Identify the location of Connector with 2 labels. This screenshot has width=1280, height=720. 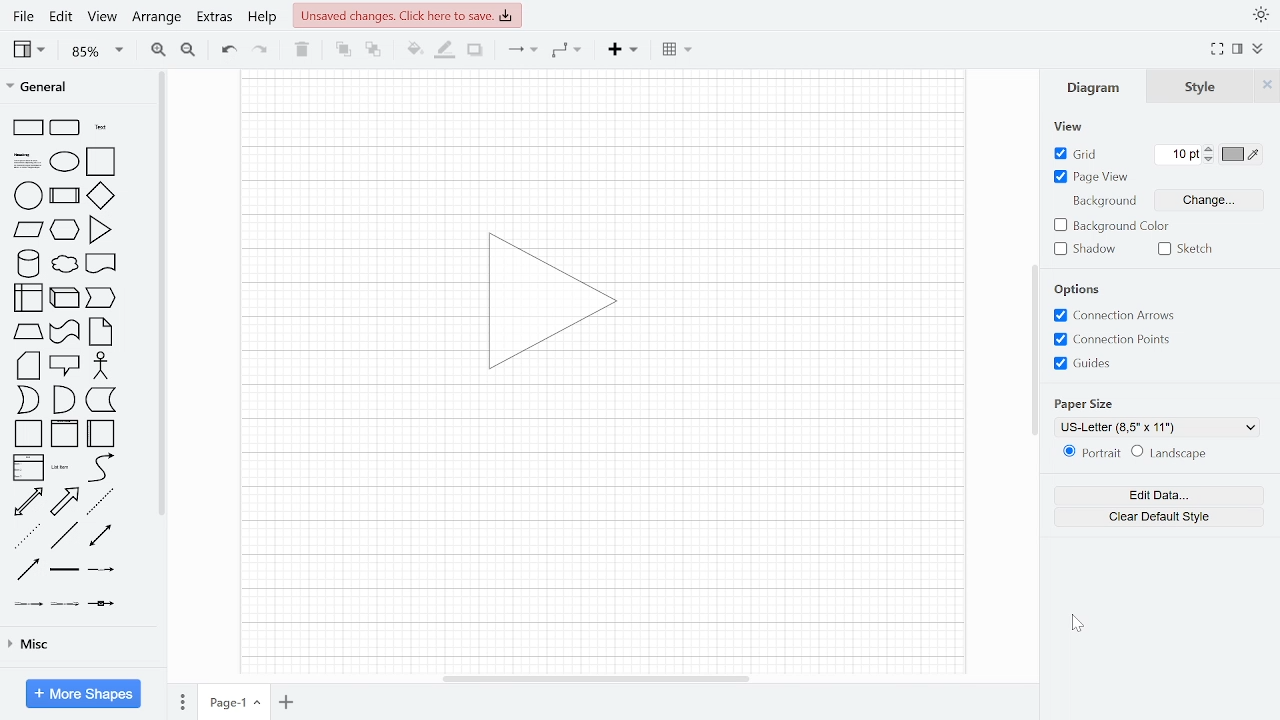
(28, 604).